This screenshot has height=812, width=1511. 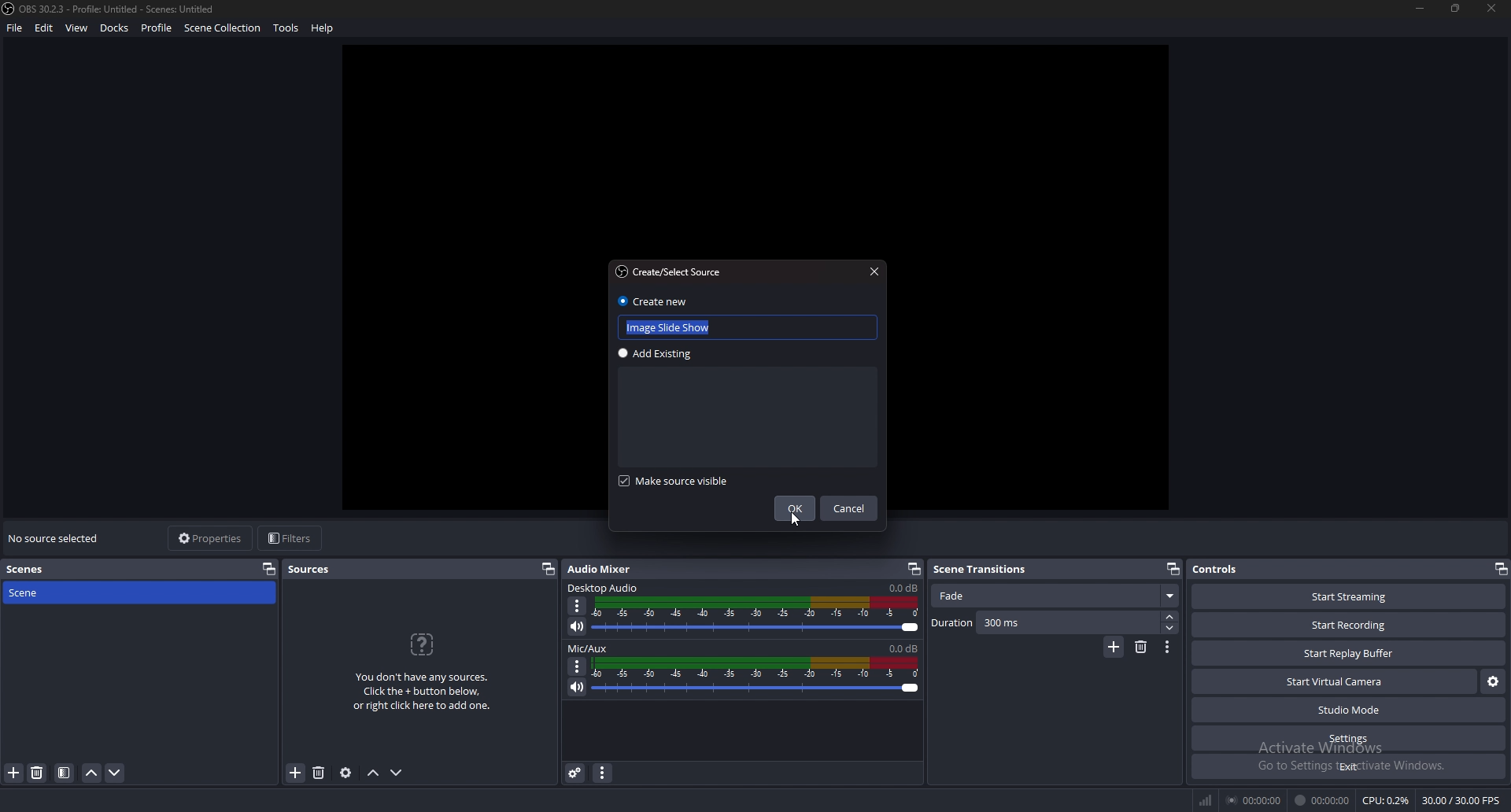 What do you see at coordinates (114, 28) in the screenshot?
I see `docks` at bounding box center [114, 28].